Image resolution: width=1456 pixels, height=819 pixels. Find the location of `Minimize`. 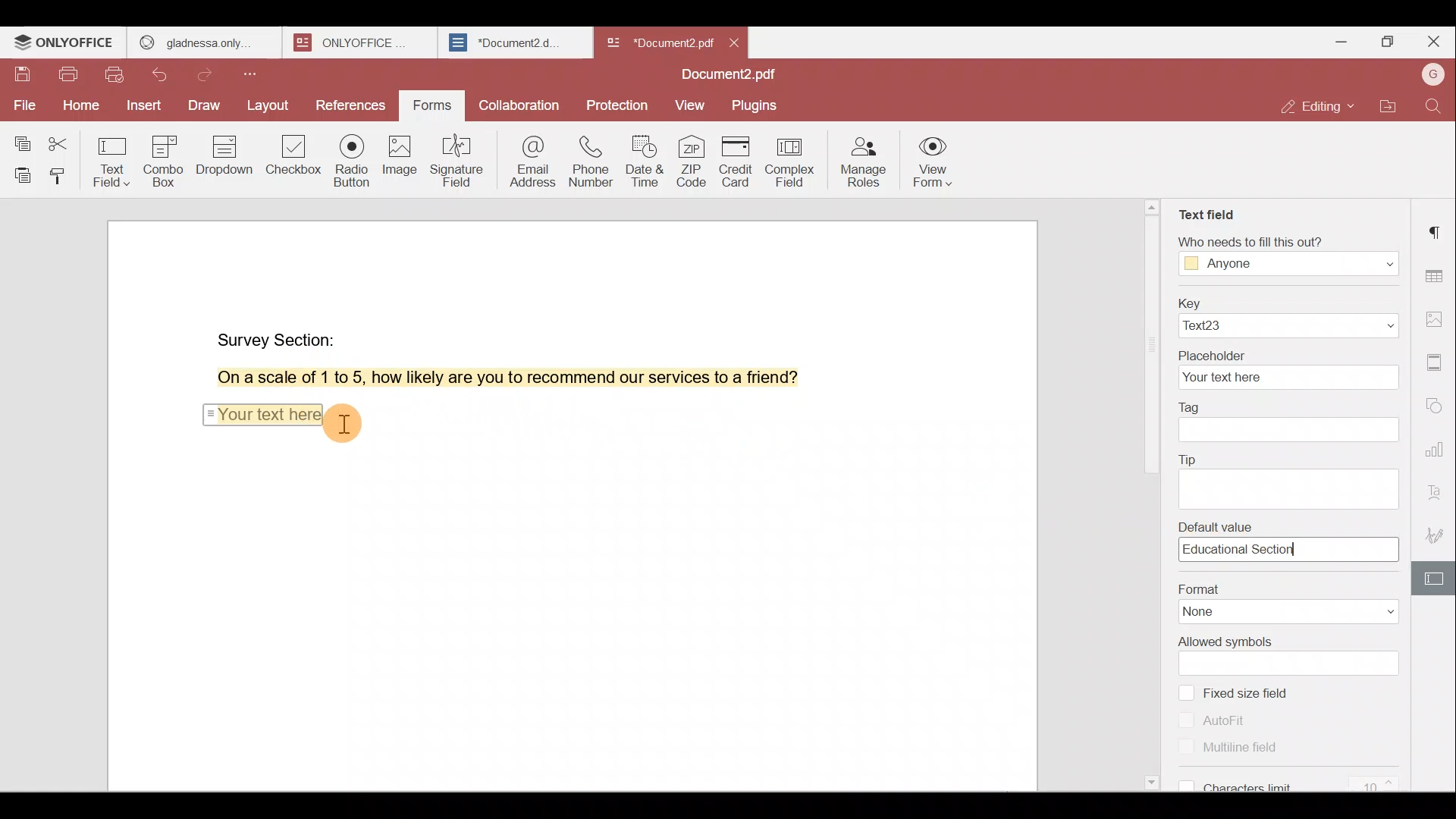

Minimize is located at coordinates (1337, 40).